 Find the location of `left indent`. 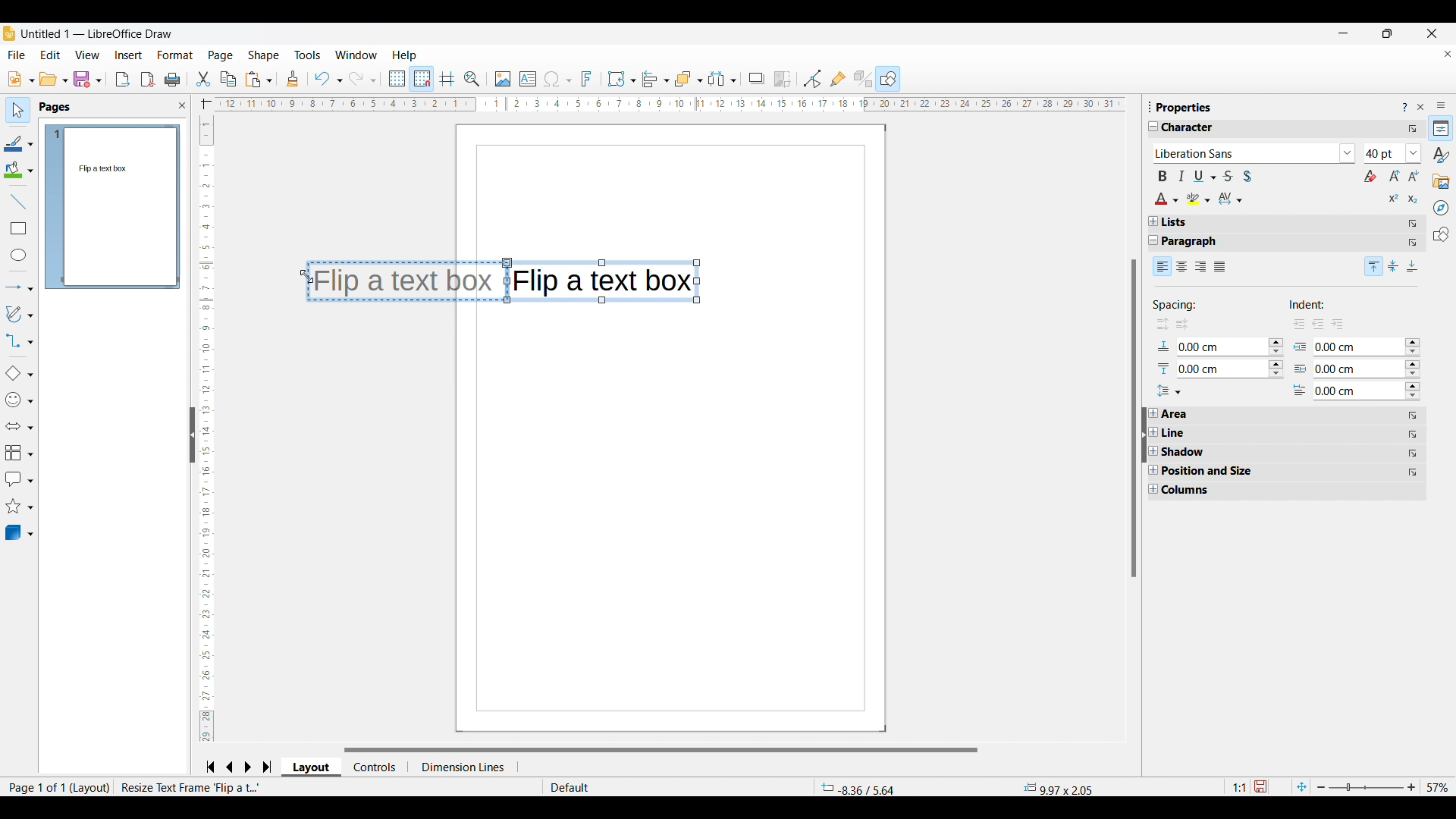

left indent is located at coordinates (1319, 322).